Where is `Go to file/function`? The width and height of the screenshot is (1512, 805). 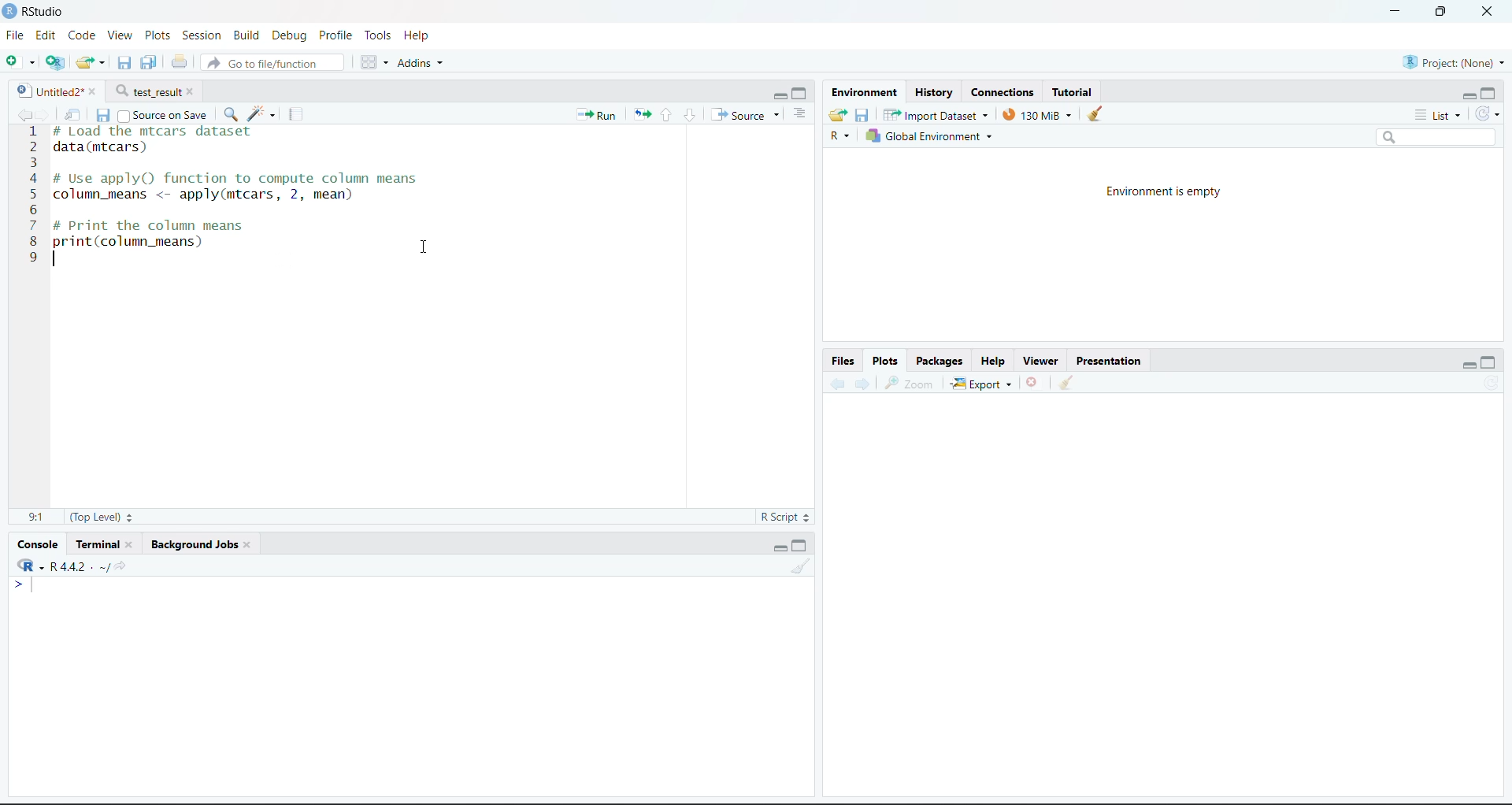 Go to file/function is located at coordinates (273, 63).